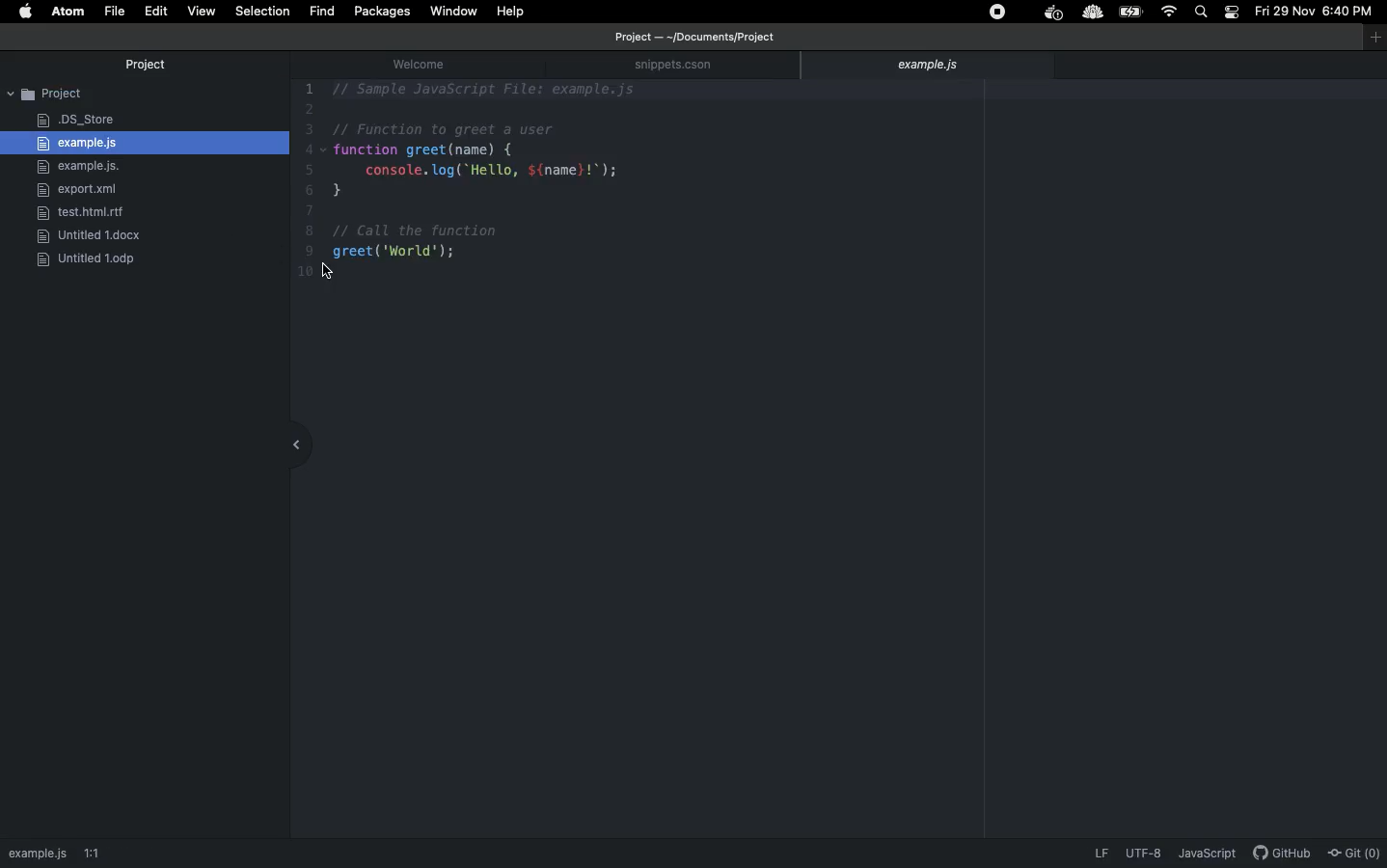 The image size is (1387, 868). I want to click on Code, so click(514, 191).